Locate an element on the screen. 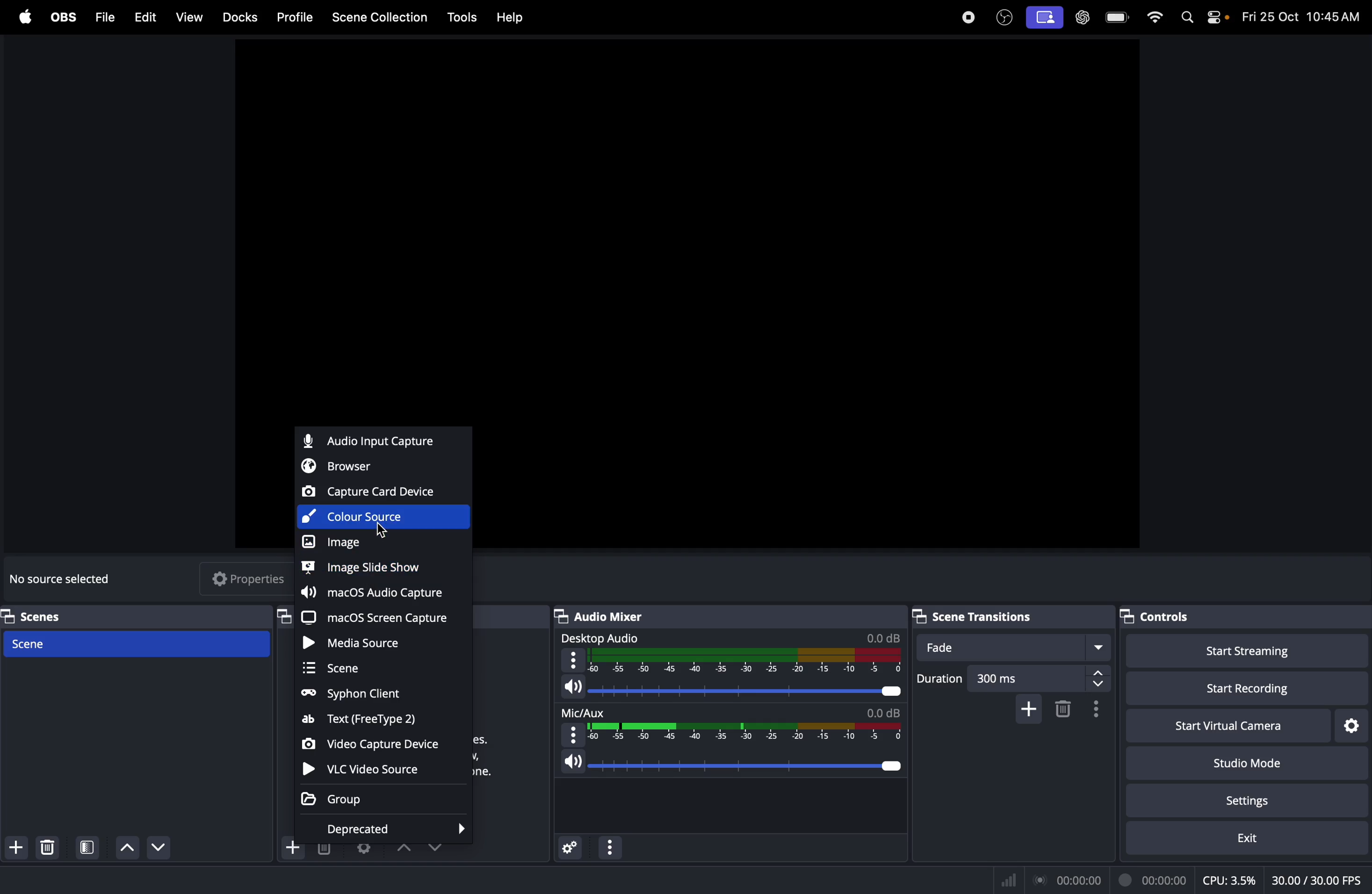 The image size is (1372, 894). Group is located at coordinates (364, 799).